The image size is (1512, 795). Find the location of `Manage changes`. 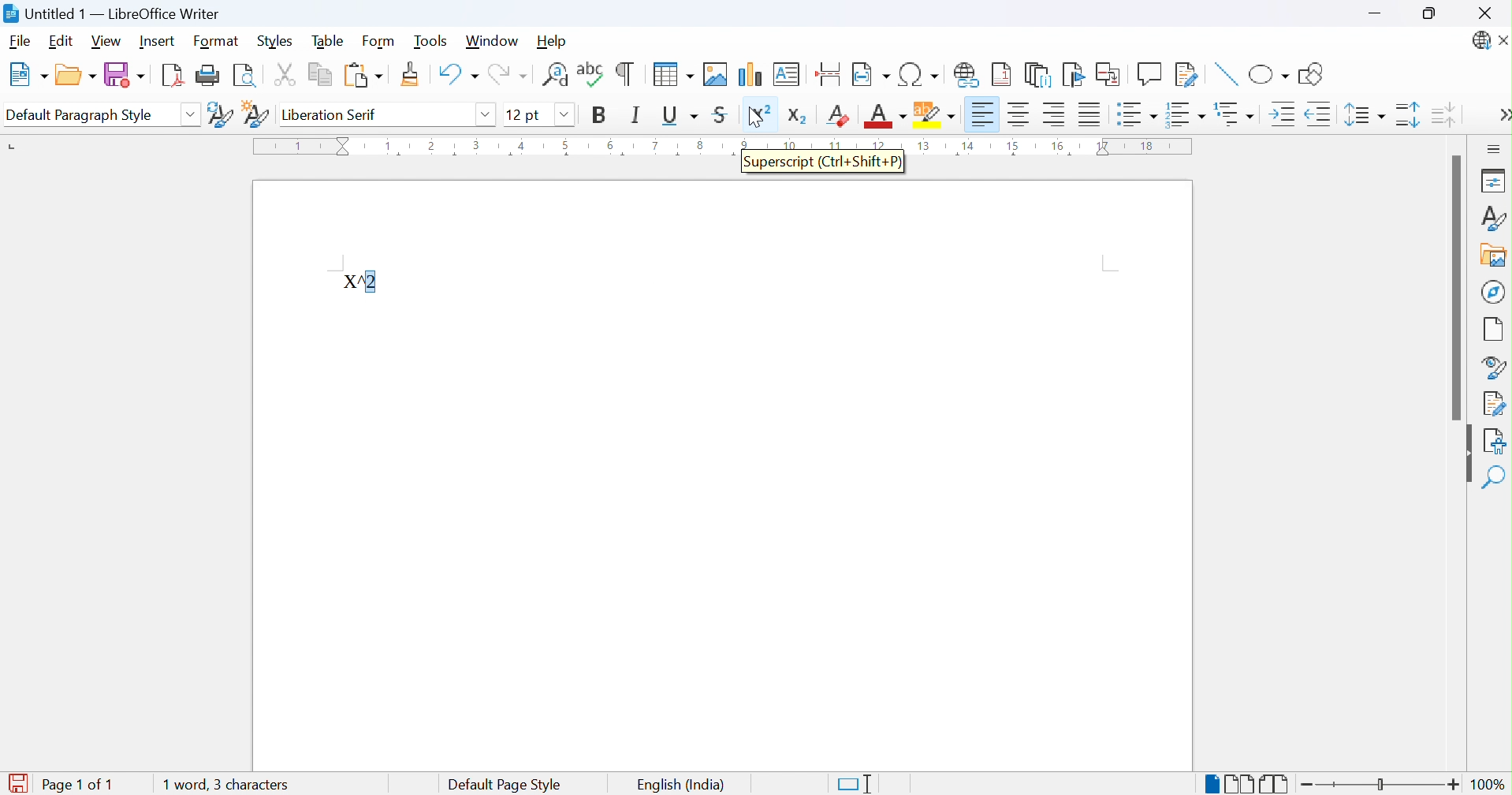

Manage changes is located at coordinates (1494, 405).